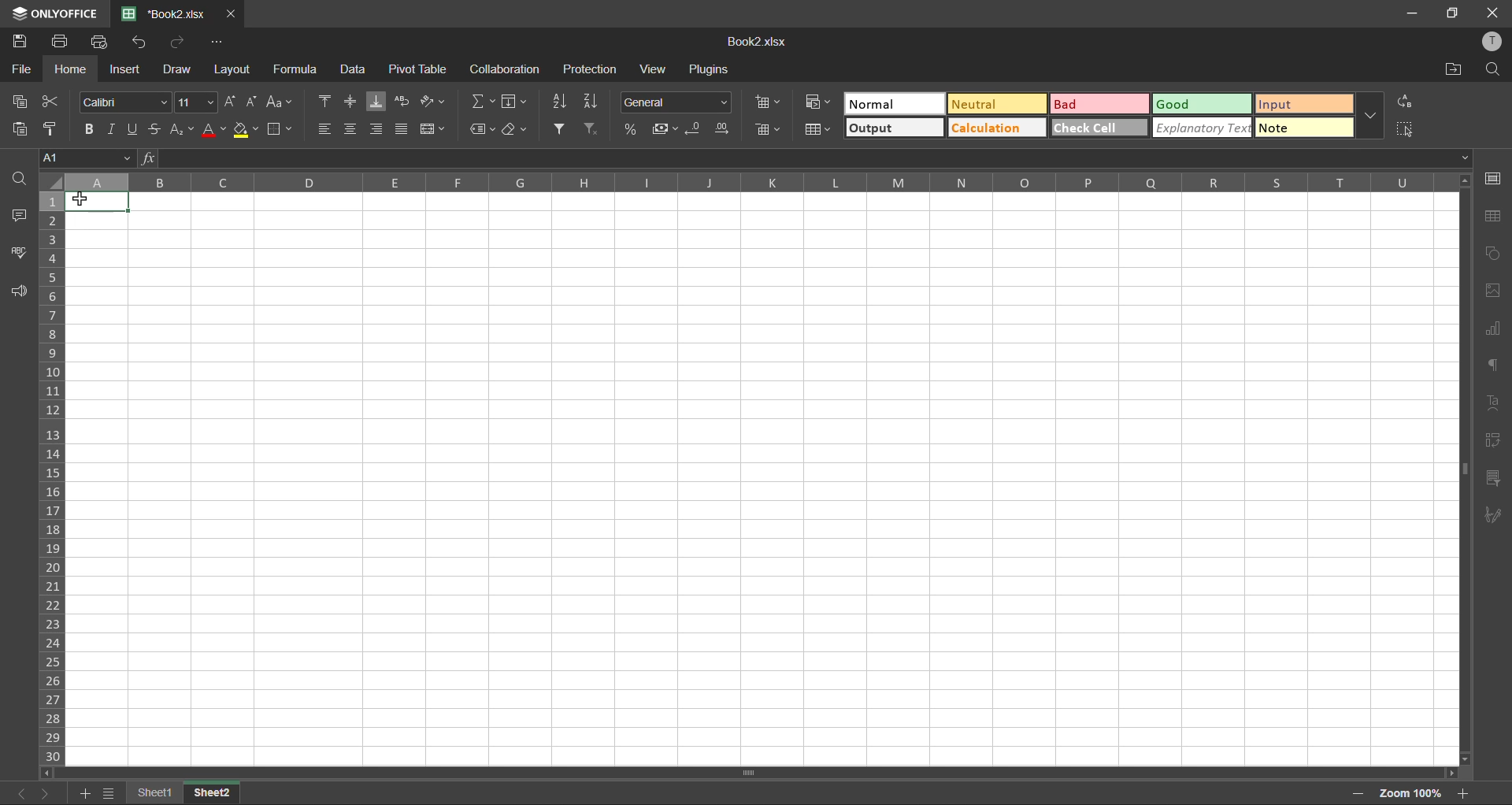 The width and height of the screenshot is (1512, 805). What do you see at coordinates (1492, 71) in the screenshot?
I see `find` at bounding box center [1492, 71].